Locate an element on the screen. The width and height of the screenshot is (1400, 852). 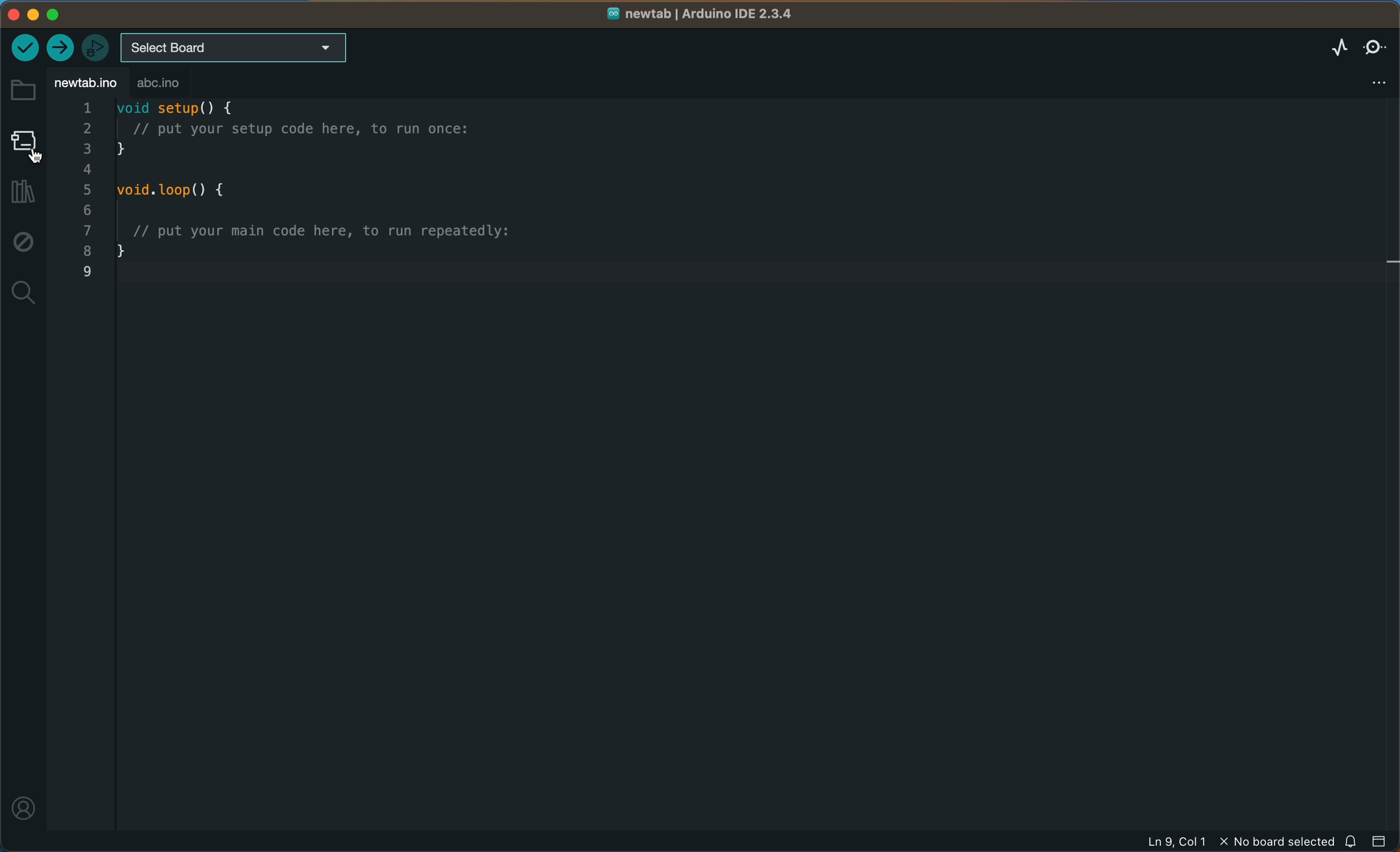
file name is located at coordinates (701, 13).